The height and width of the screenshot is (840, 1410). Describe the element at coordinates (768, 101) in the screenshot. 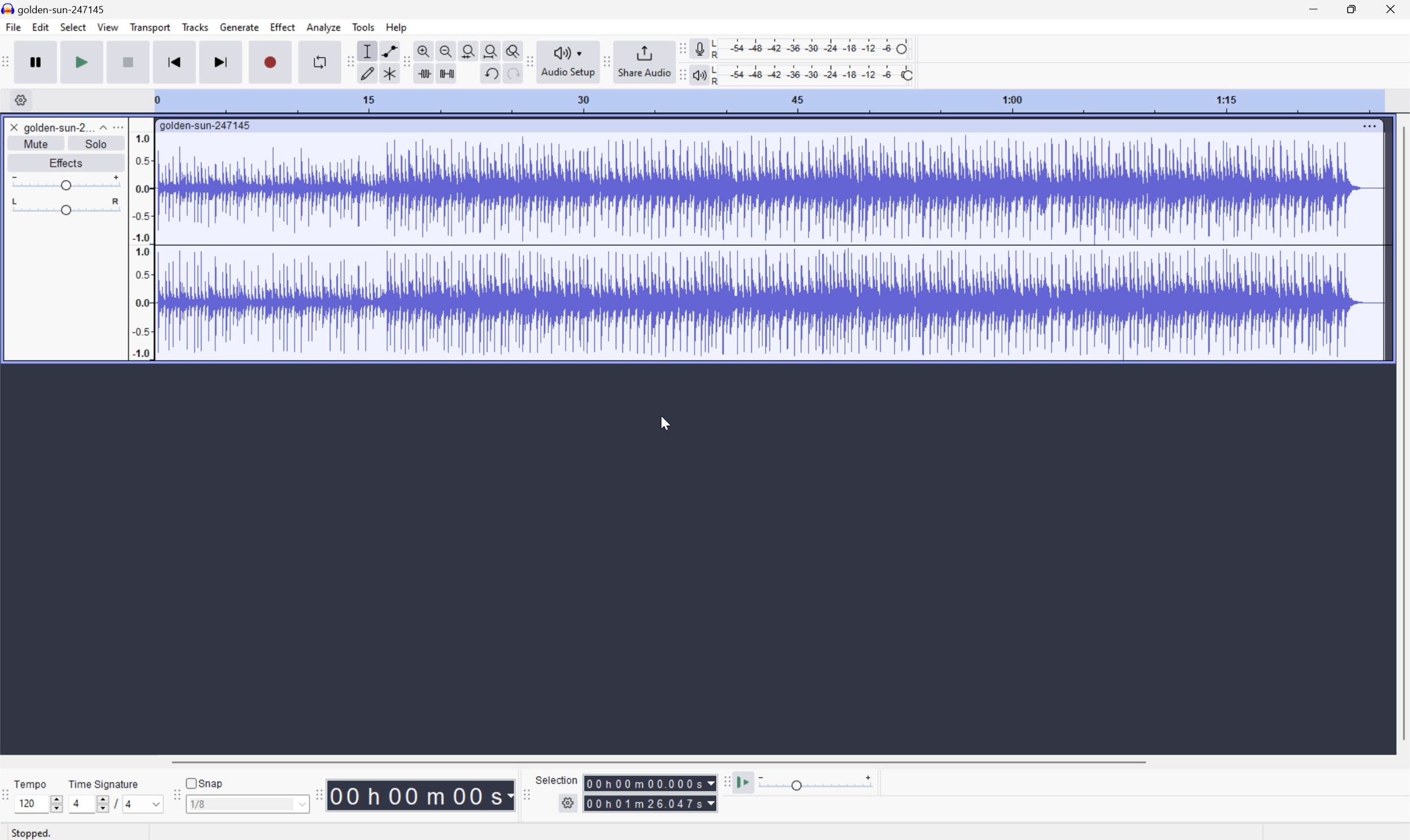

I see `Scale` at that location.